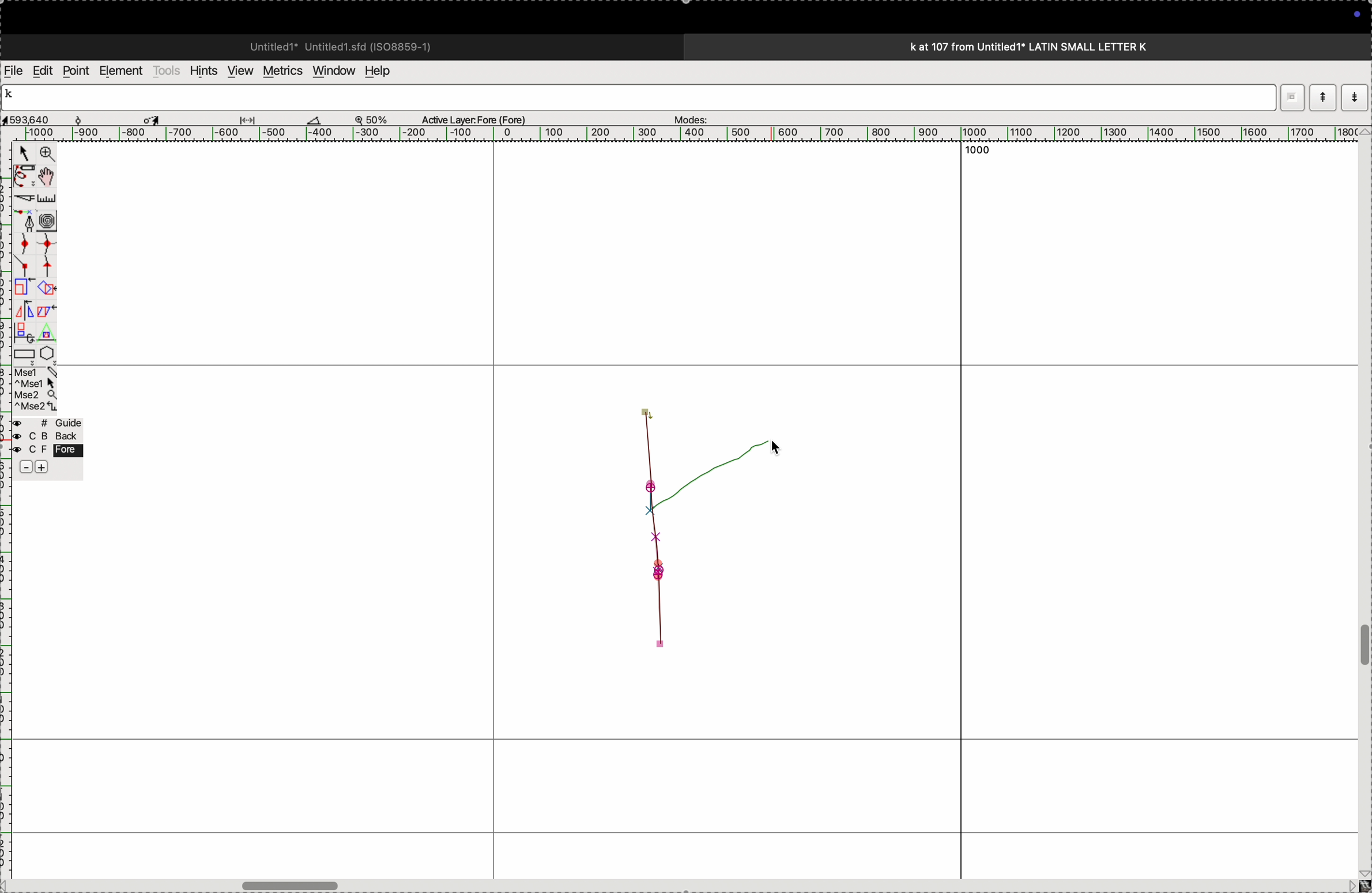 The width and height of the screenshot is (1372, 893). I want to click on apply, so click(47, 319).